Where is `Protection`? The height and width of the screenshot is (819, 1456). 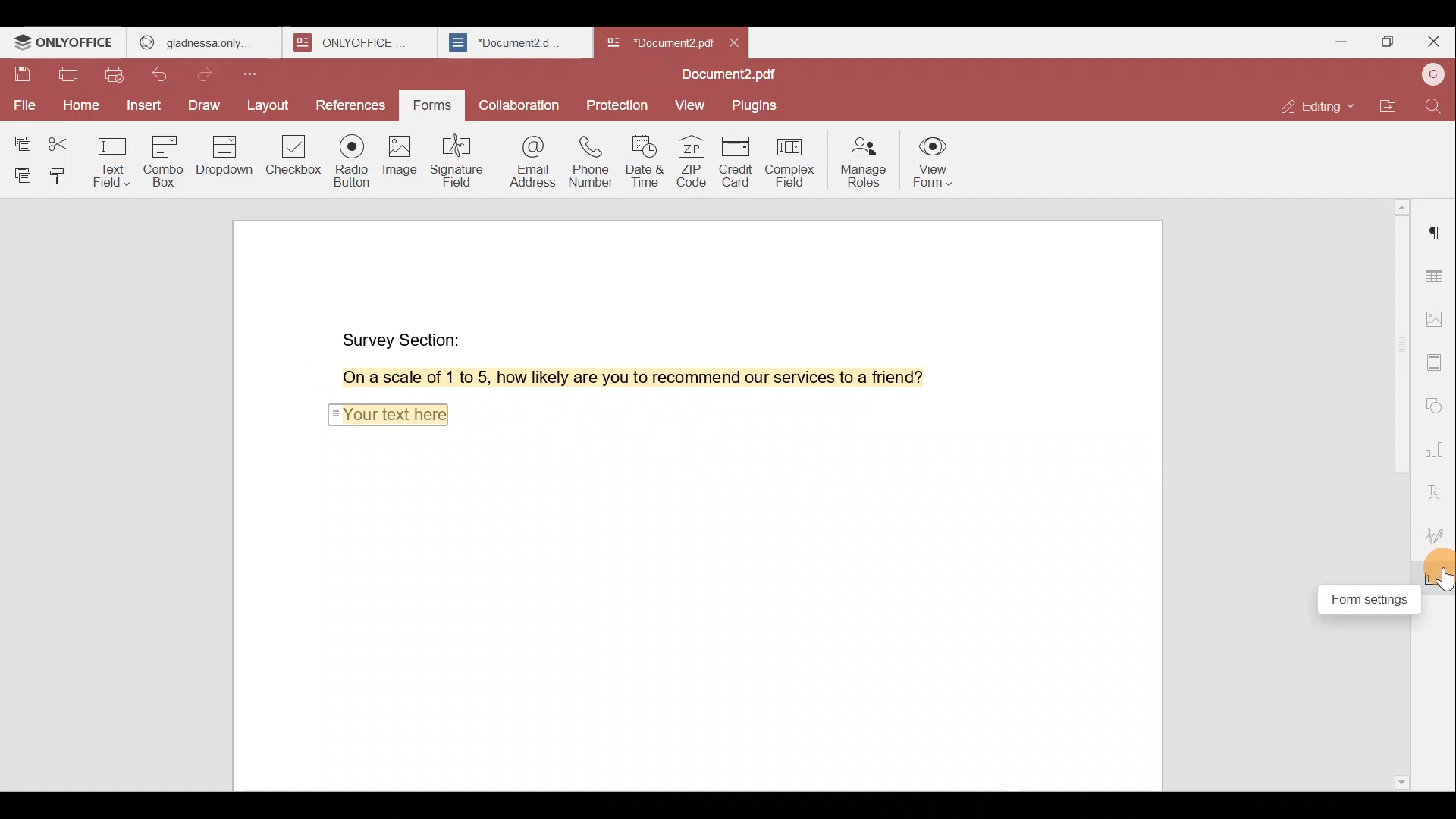 Protection is located at coordinates (620, 101).